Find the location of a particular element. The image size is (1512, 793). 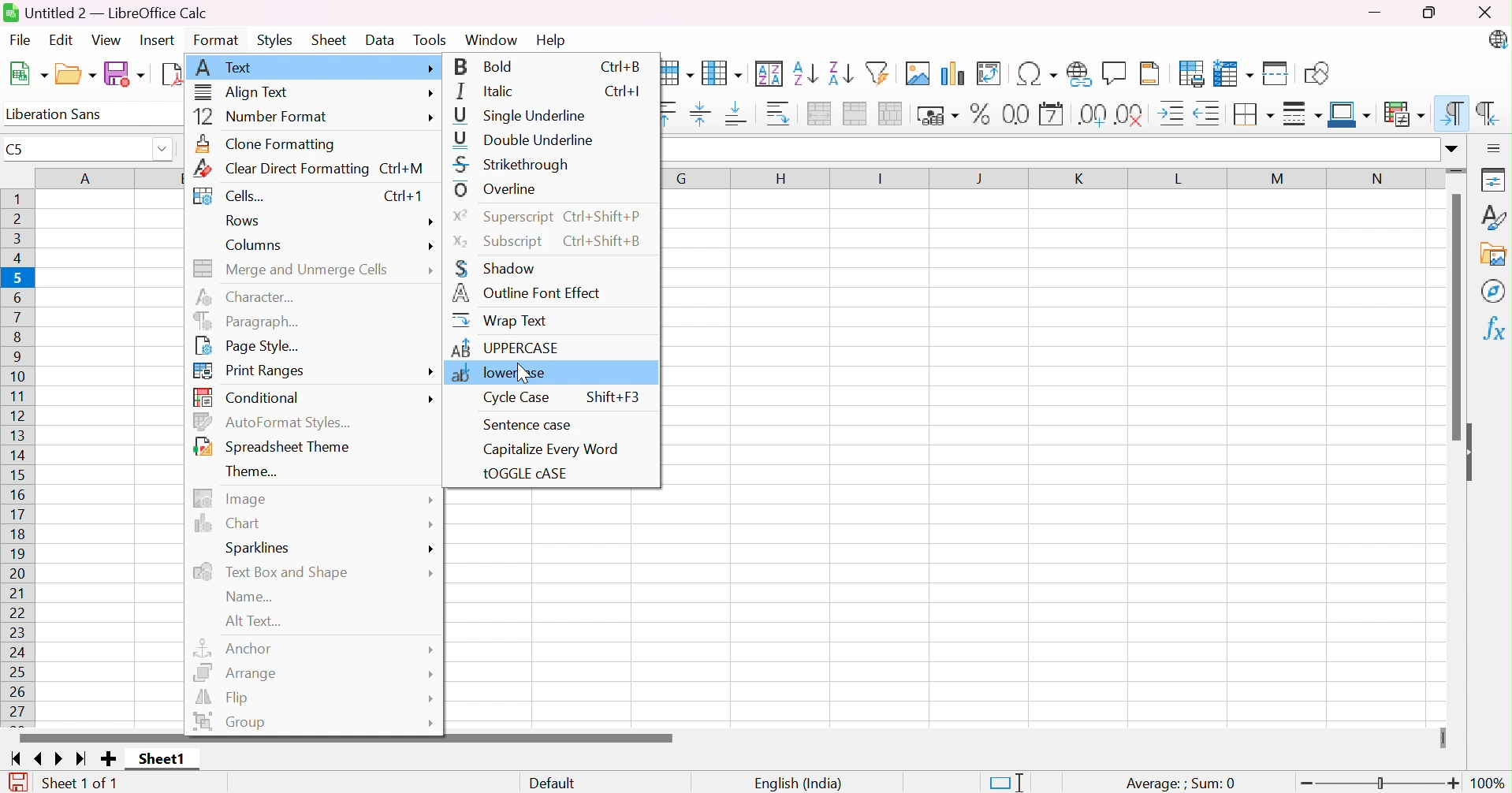

UPPERCASE is located at coordinates (505, 347).